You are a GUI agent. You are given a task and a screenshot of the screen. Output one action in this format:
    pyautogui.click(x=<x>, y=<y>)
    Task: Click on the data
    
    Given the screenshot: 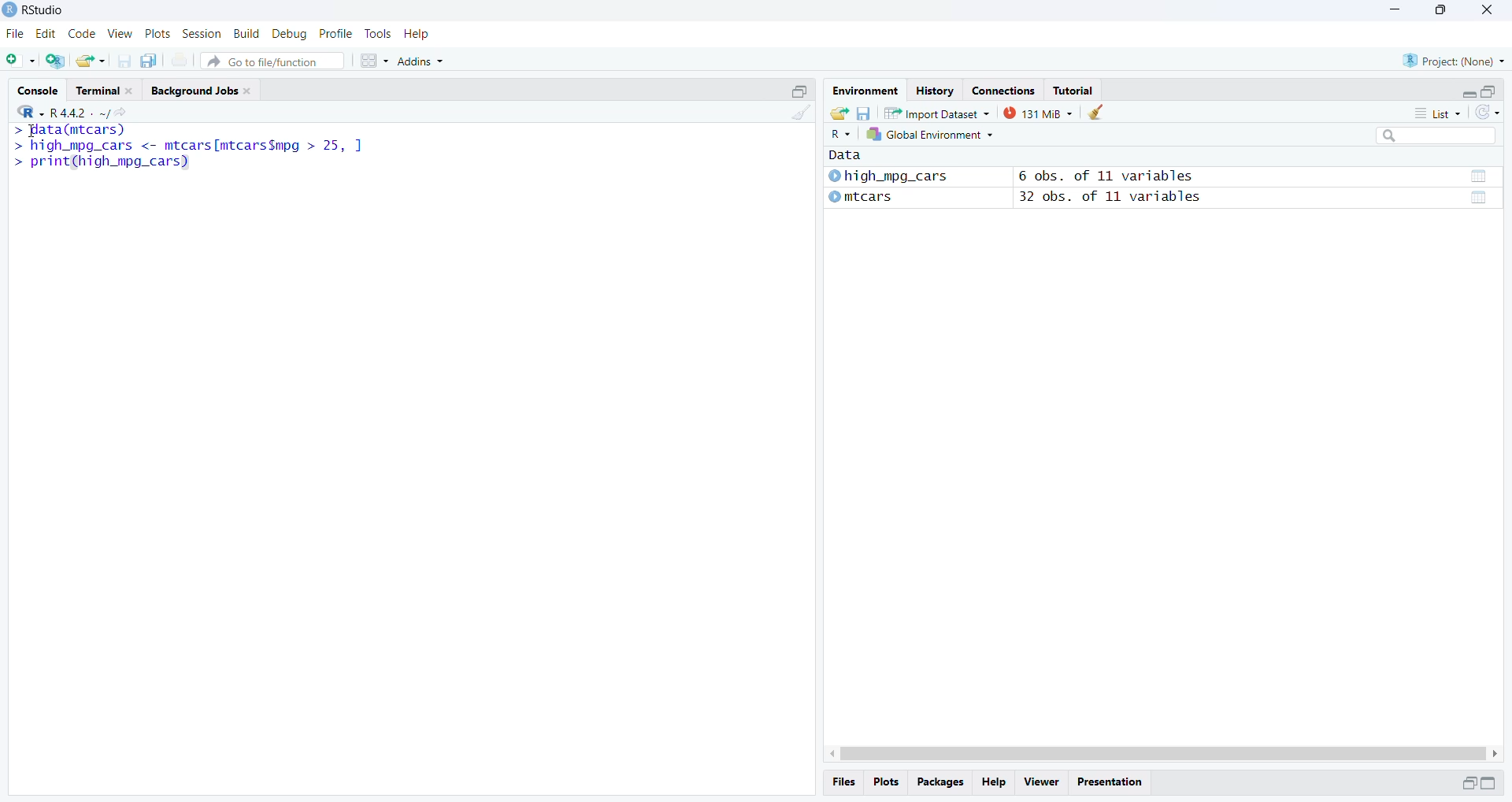 What is the action you would take?
    pyautogui.click(x=1477, y=176)
    